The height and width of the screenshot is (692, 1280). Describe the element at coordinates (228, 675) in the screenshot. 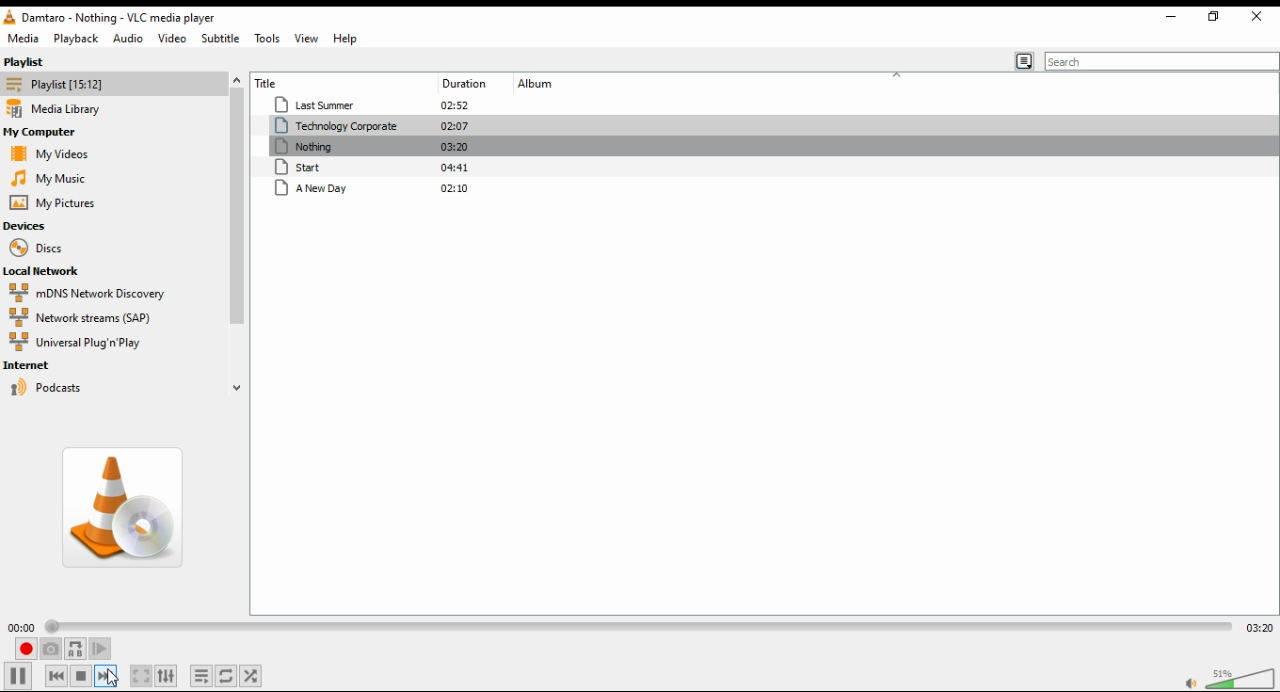

I see `select between loop all, loop one, and no loop` at that location.